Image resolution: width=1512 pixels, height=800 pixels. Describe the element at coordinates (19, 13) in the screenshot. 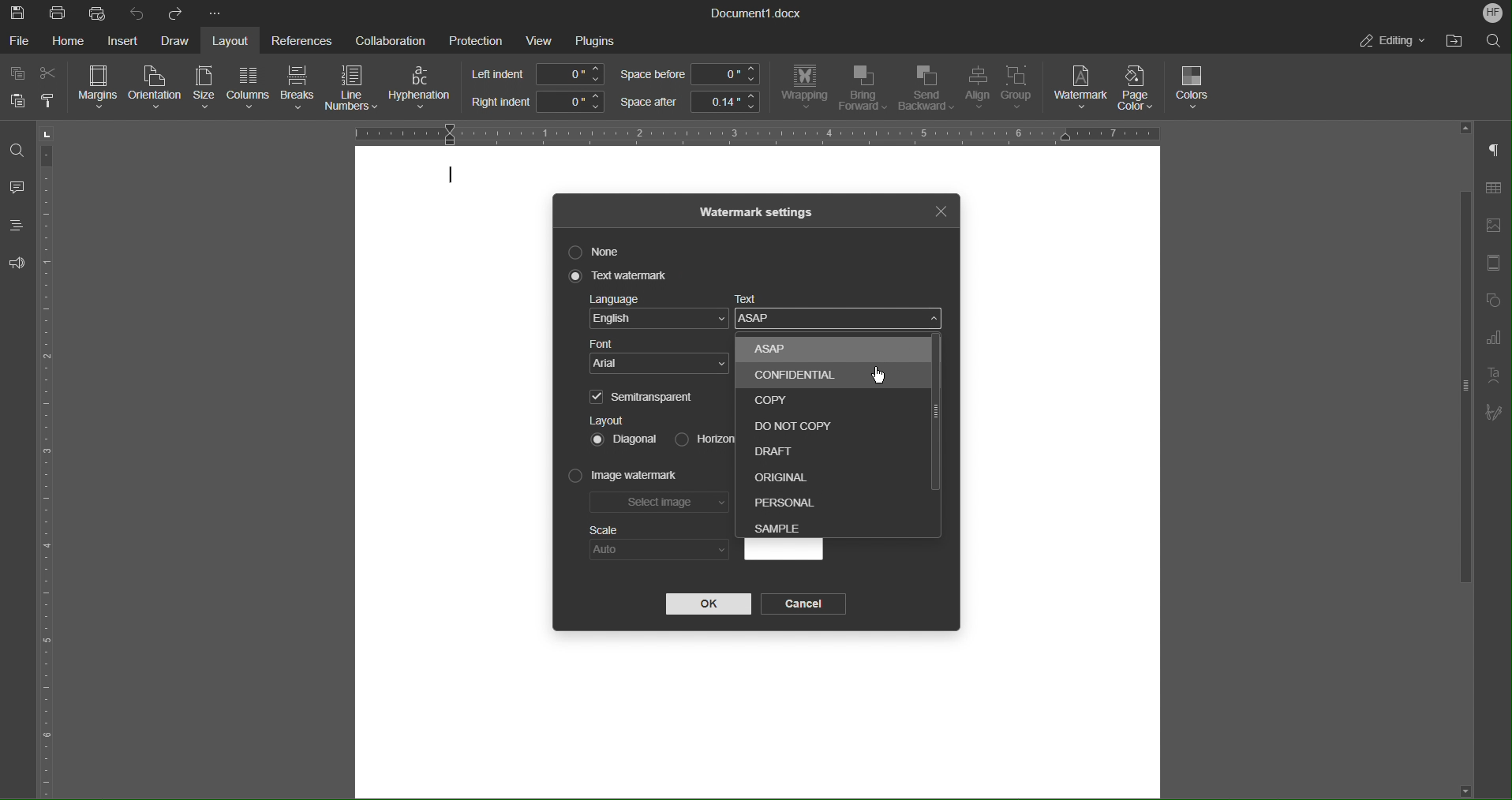

I see `Save` at that location.